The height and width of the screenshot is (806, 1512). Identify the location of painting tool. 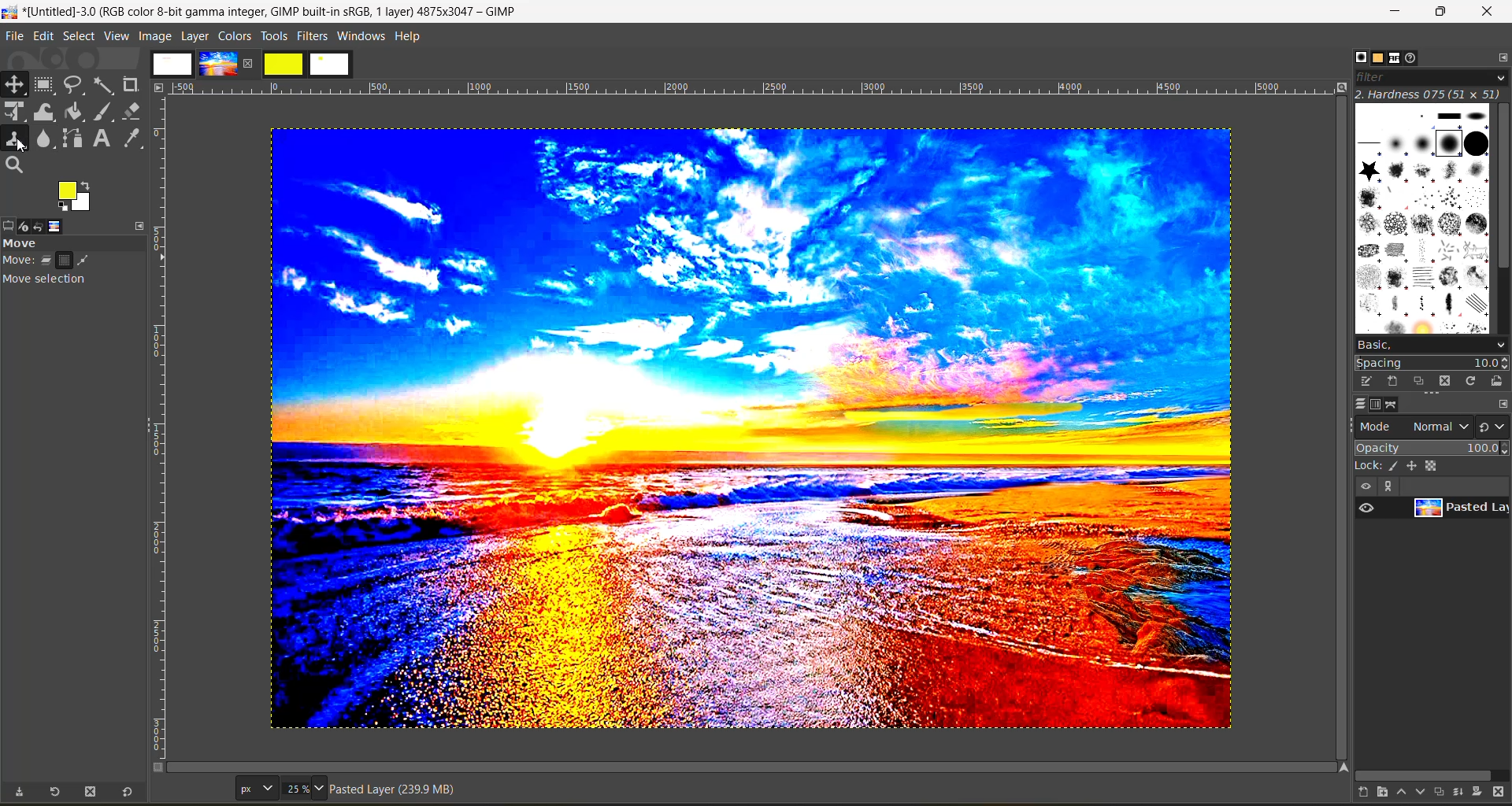
(1395, 466).